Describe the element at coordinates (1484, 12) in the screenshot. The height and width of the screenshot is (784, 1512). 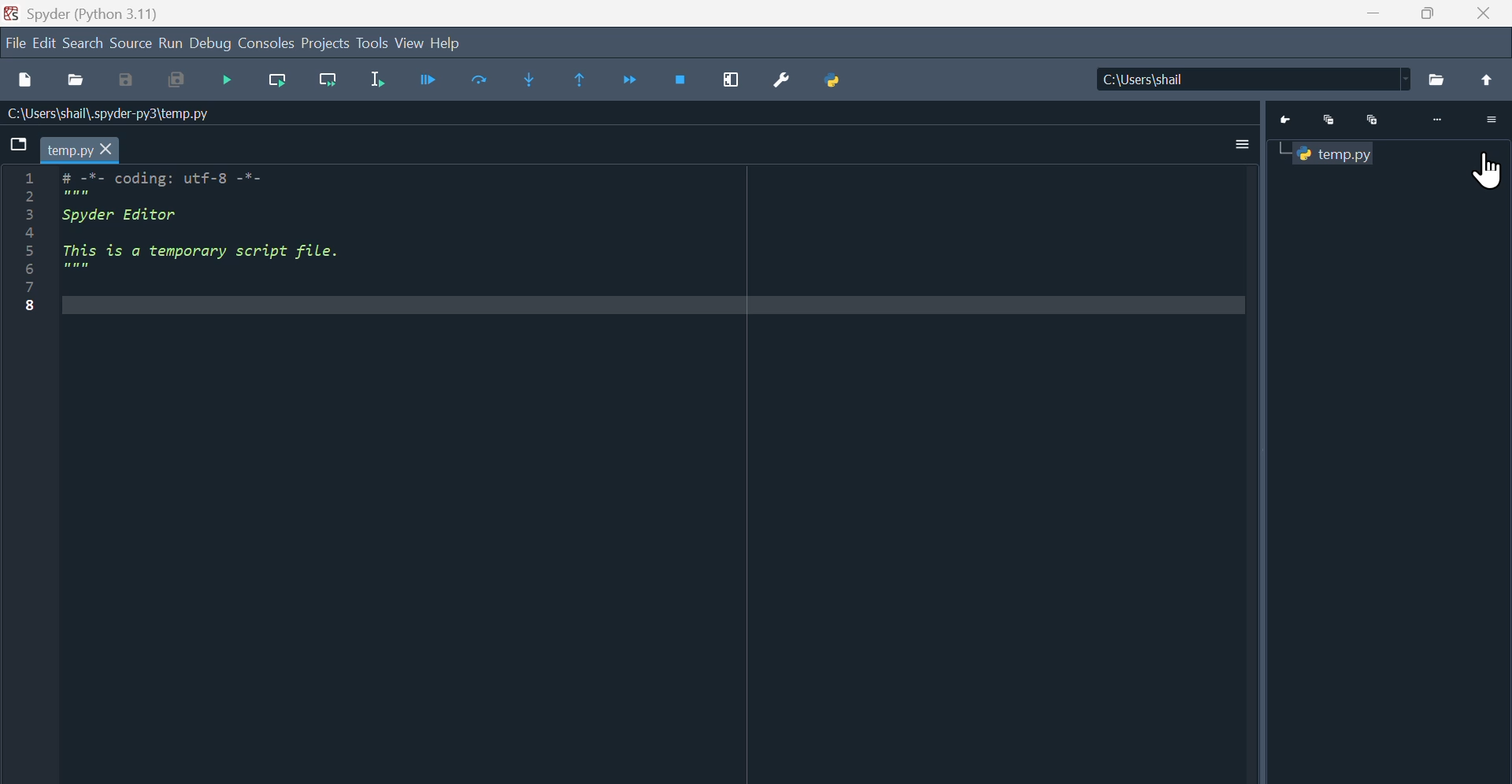
I see `close` at that location.